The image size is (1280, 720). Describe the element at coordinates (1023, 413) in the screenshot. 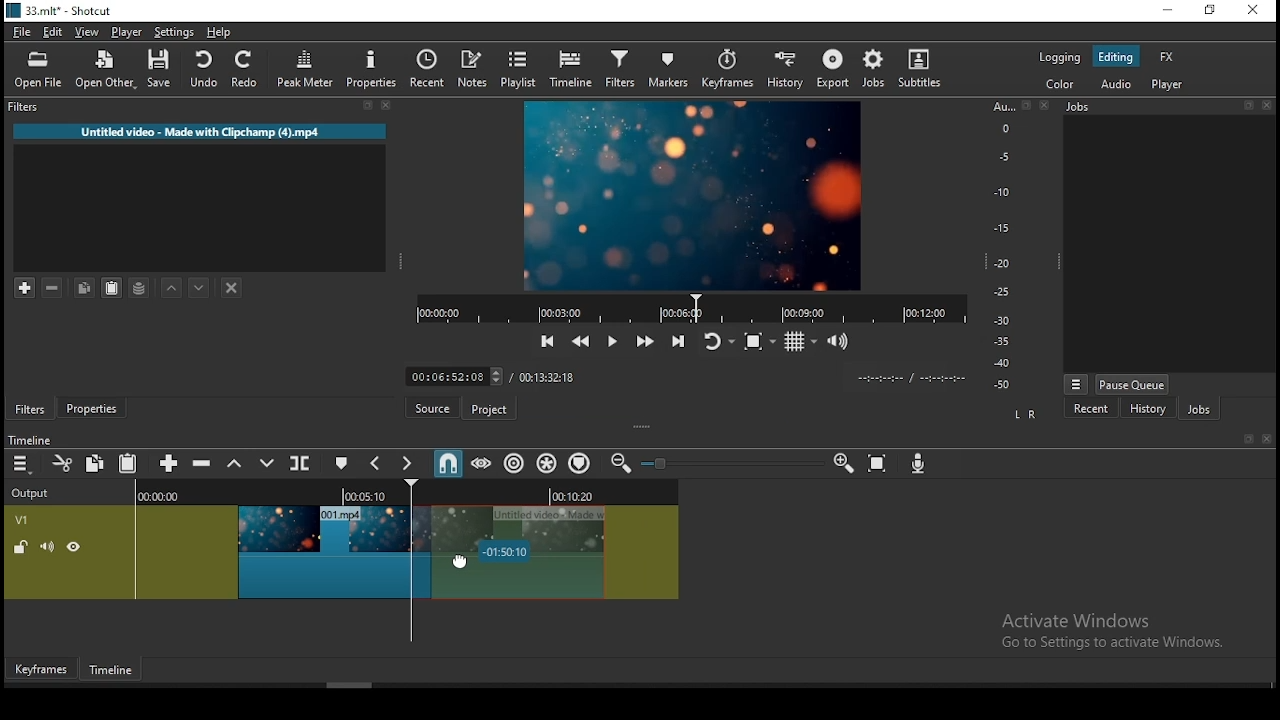

I see `L R` at that location.